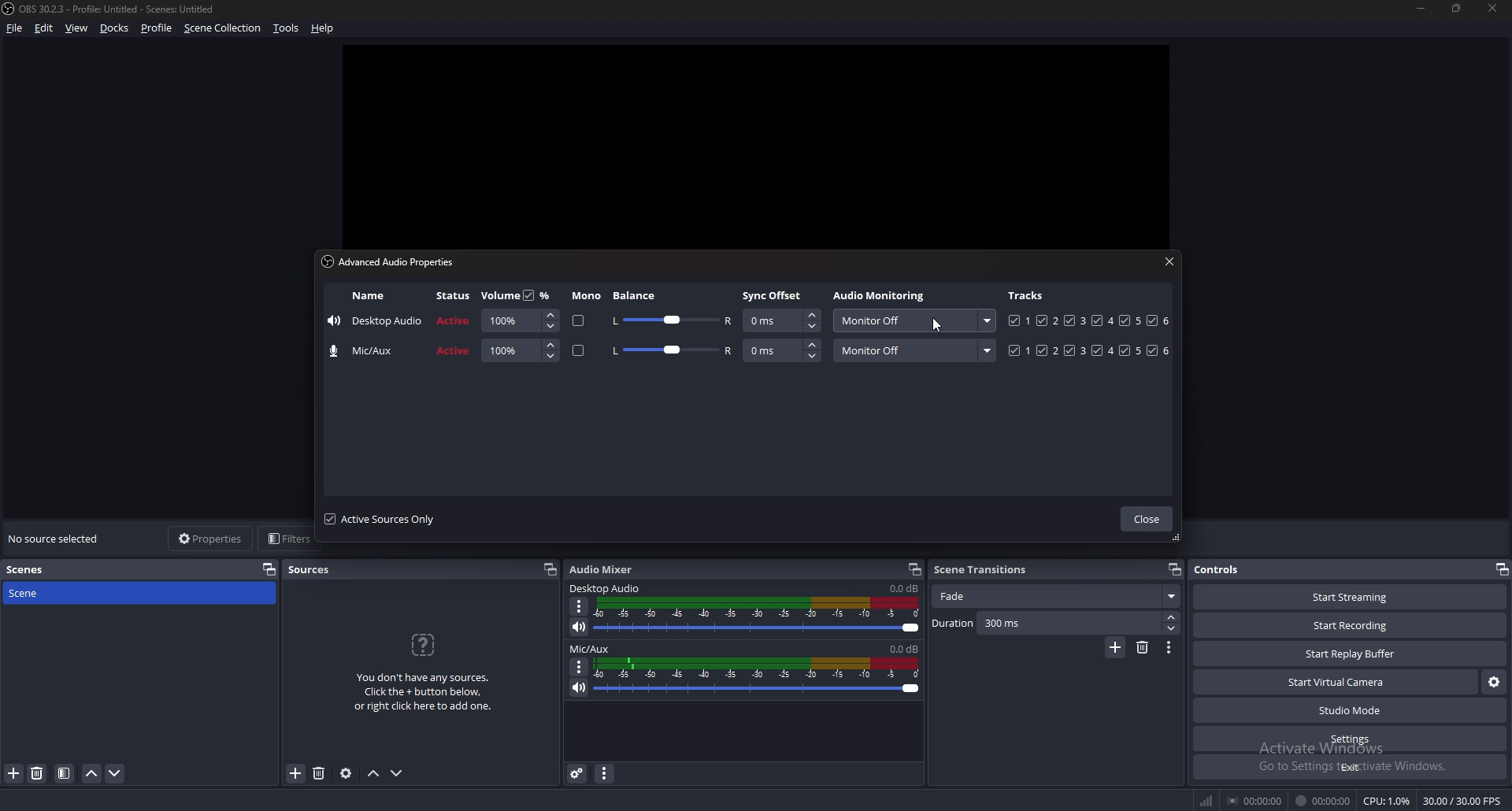 The image size is (1512, 811). Describe the element at coordinates (1028, 295) in the screenshot. I see `tracks` at that location.